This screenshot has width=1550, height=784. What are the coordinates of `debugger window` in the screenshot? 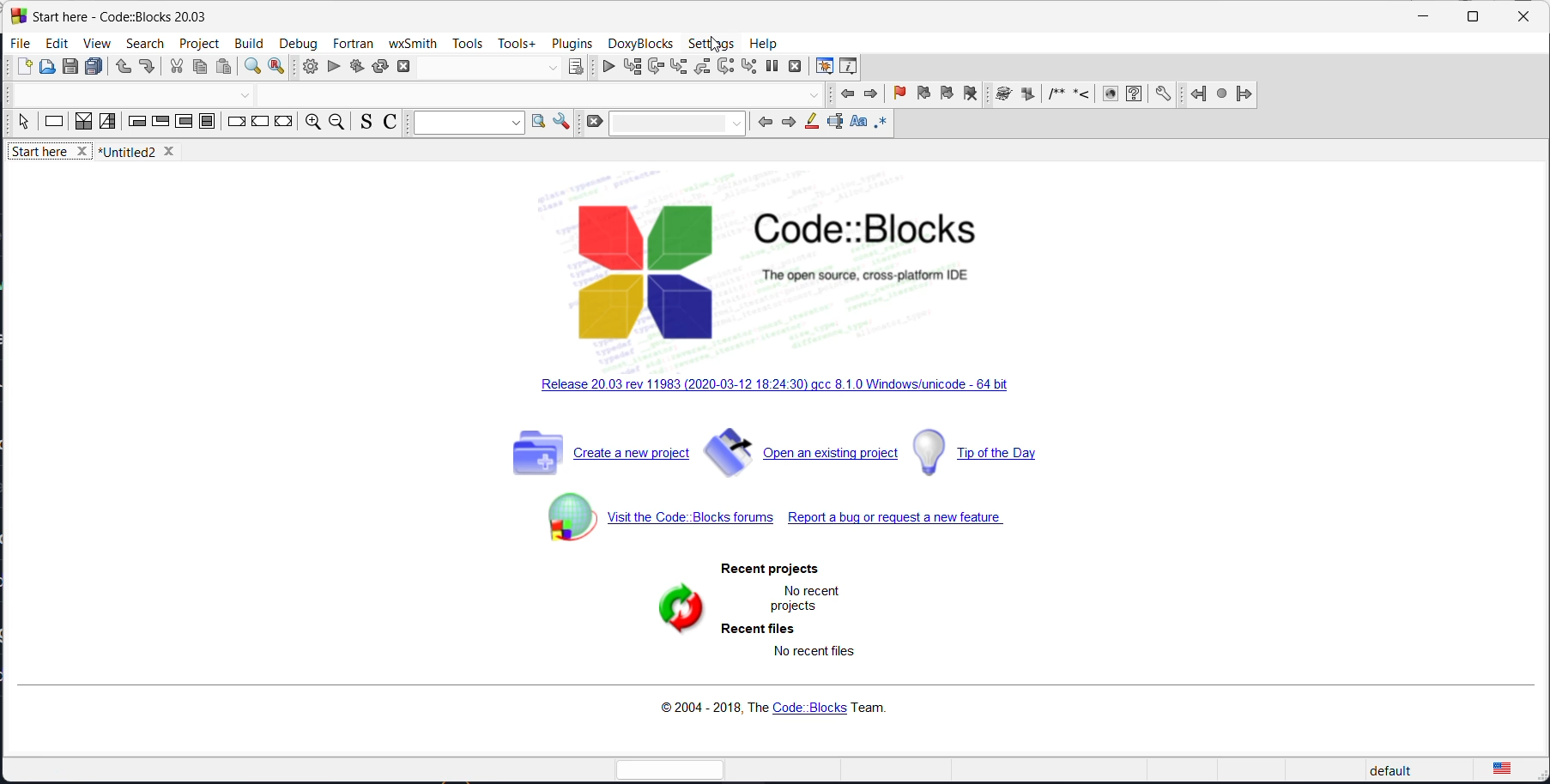 It's located at (821, 66).